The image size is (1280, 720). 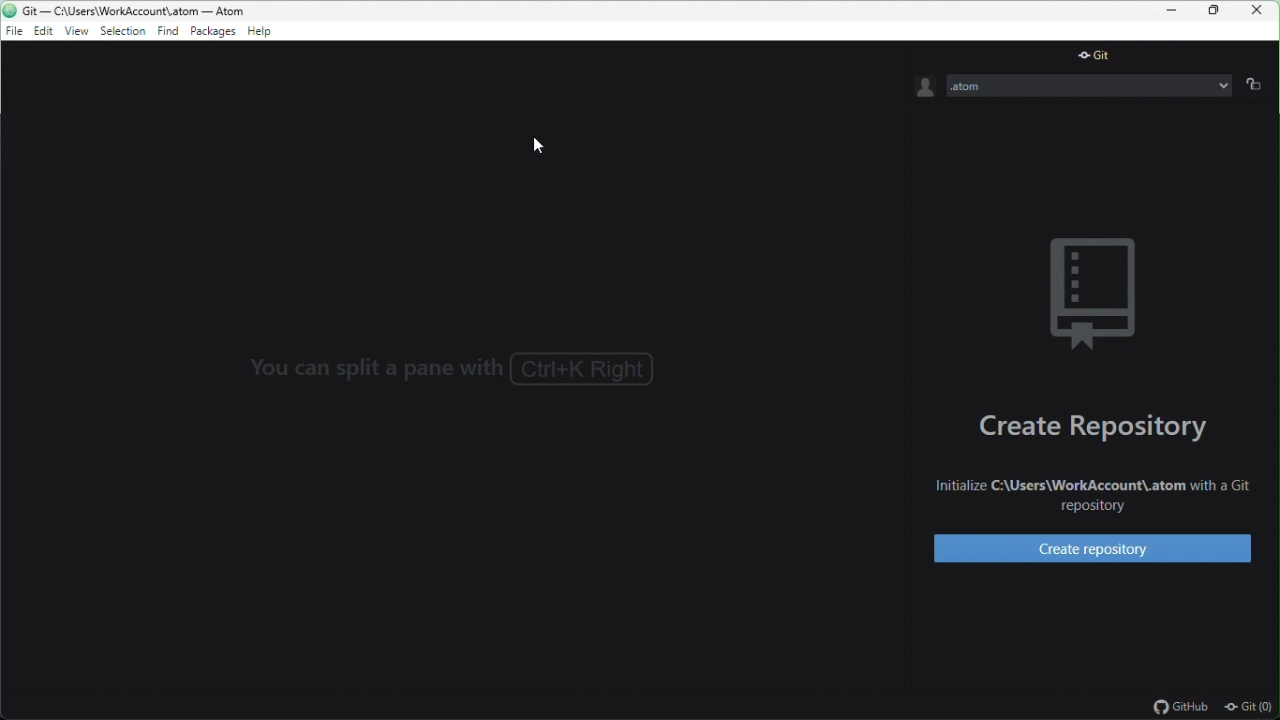 I want to click on github, so click(x=1180, y=709).